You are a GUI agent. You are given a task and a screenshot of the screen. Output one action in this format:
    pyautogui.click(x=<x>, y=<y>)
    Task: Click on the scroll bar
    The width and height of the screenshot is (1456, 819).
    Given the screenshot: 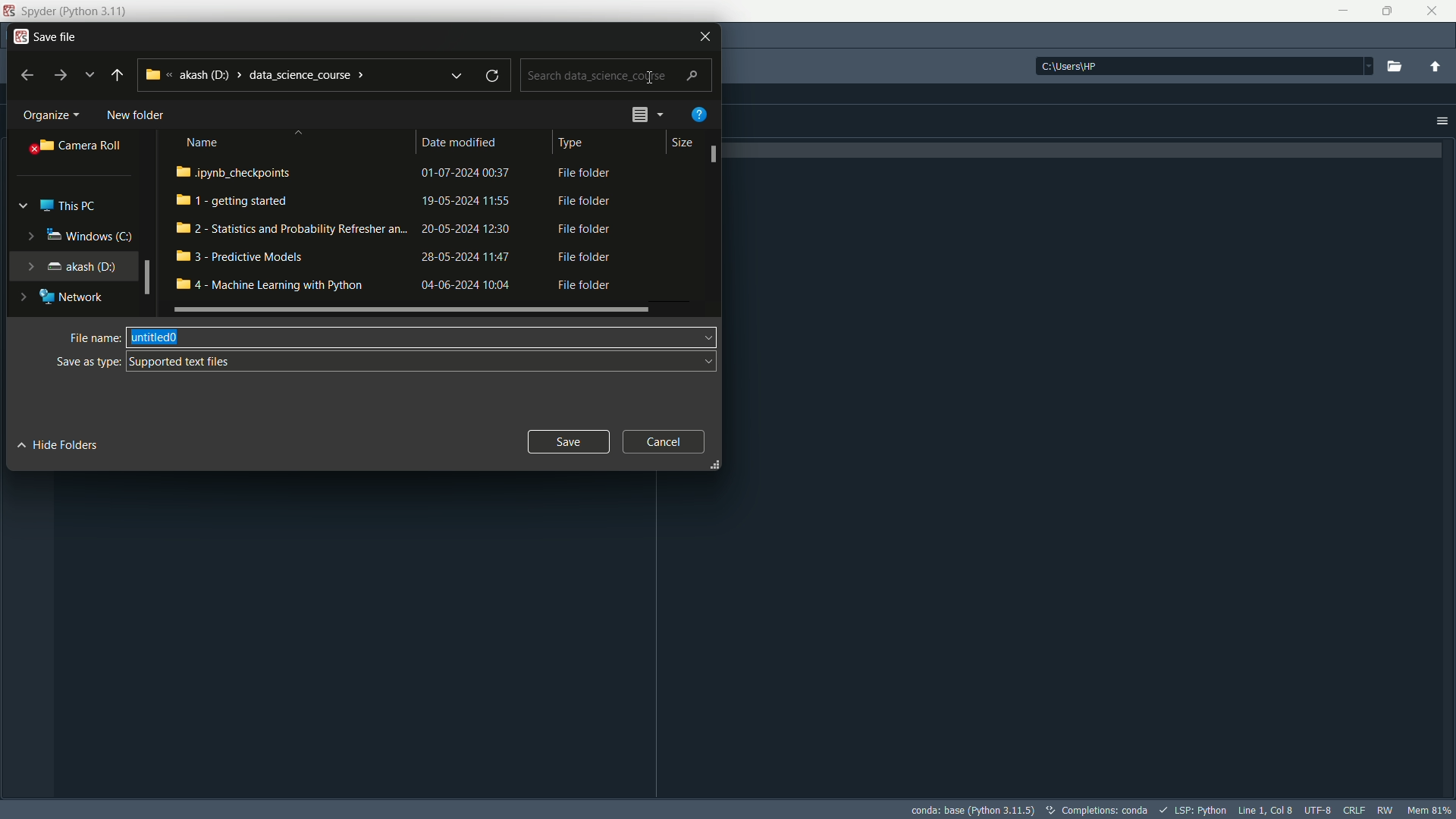 What is the action you would take?
    pyautogui.click(x=147, y=278)
    